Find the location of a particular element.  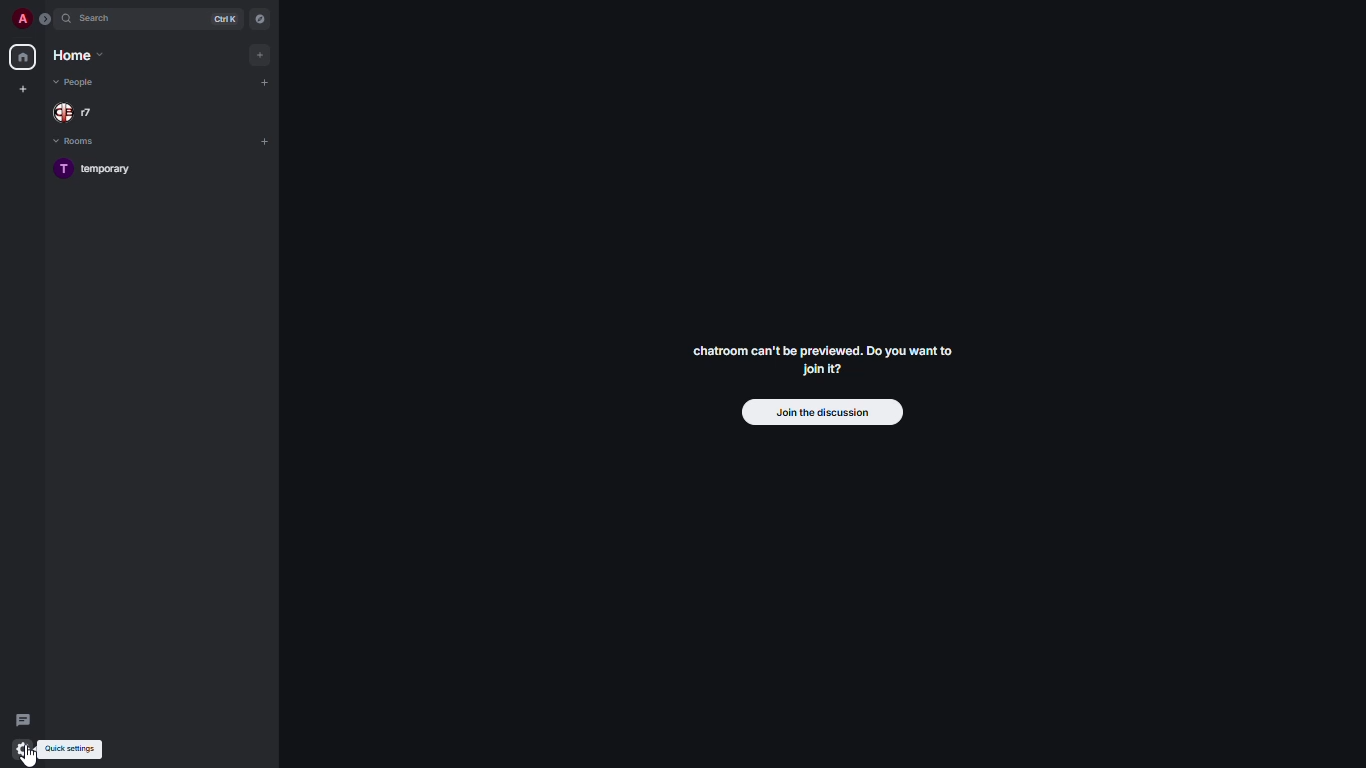

rooms is located at coordinates (78, 142).